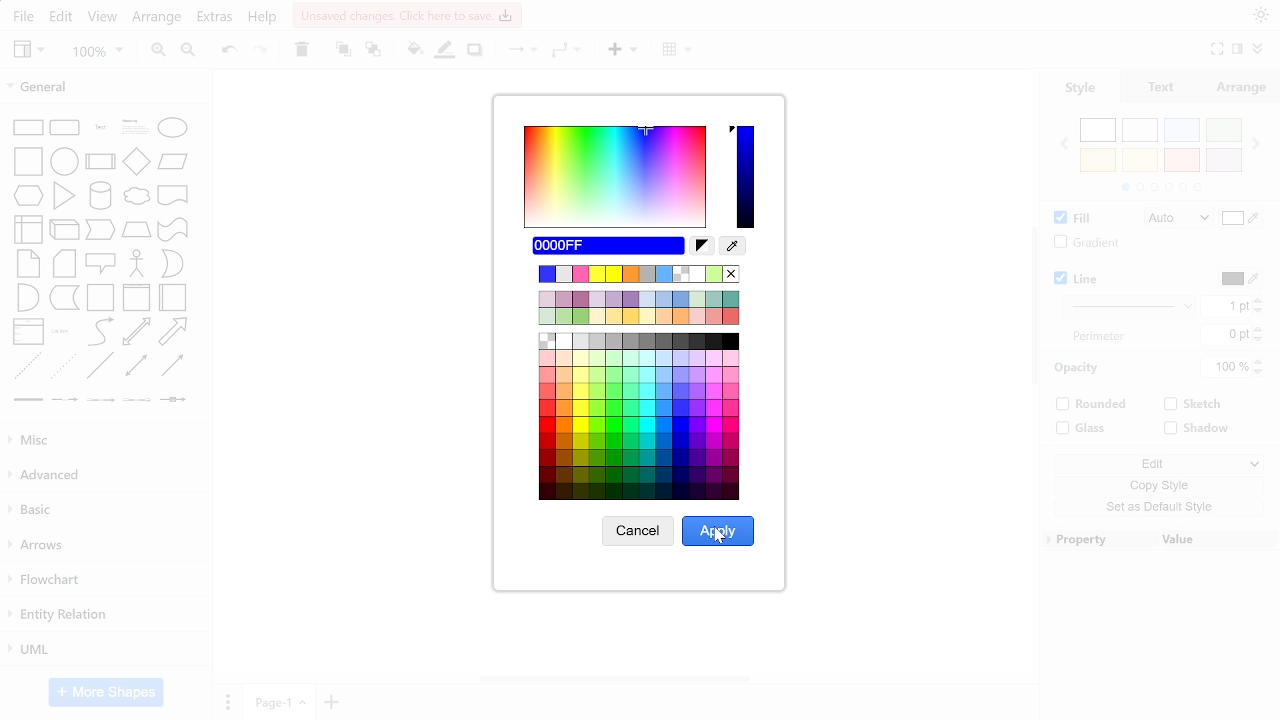 The image size is (1280, 720). What do you see at coordinates (1227, 368) in the screenshot?
I see `current opacity` at bounding box center [1227, 368].